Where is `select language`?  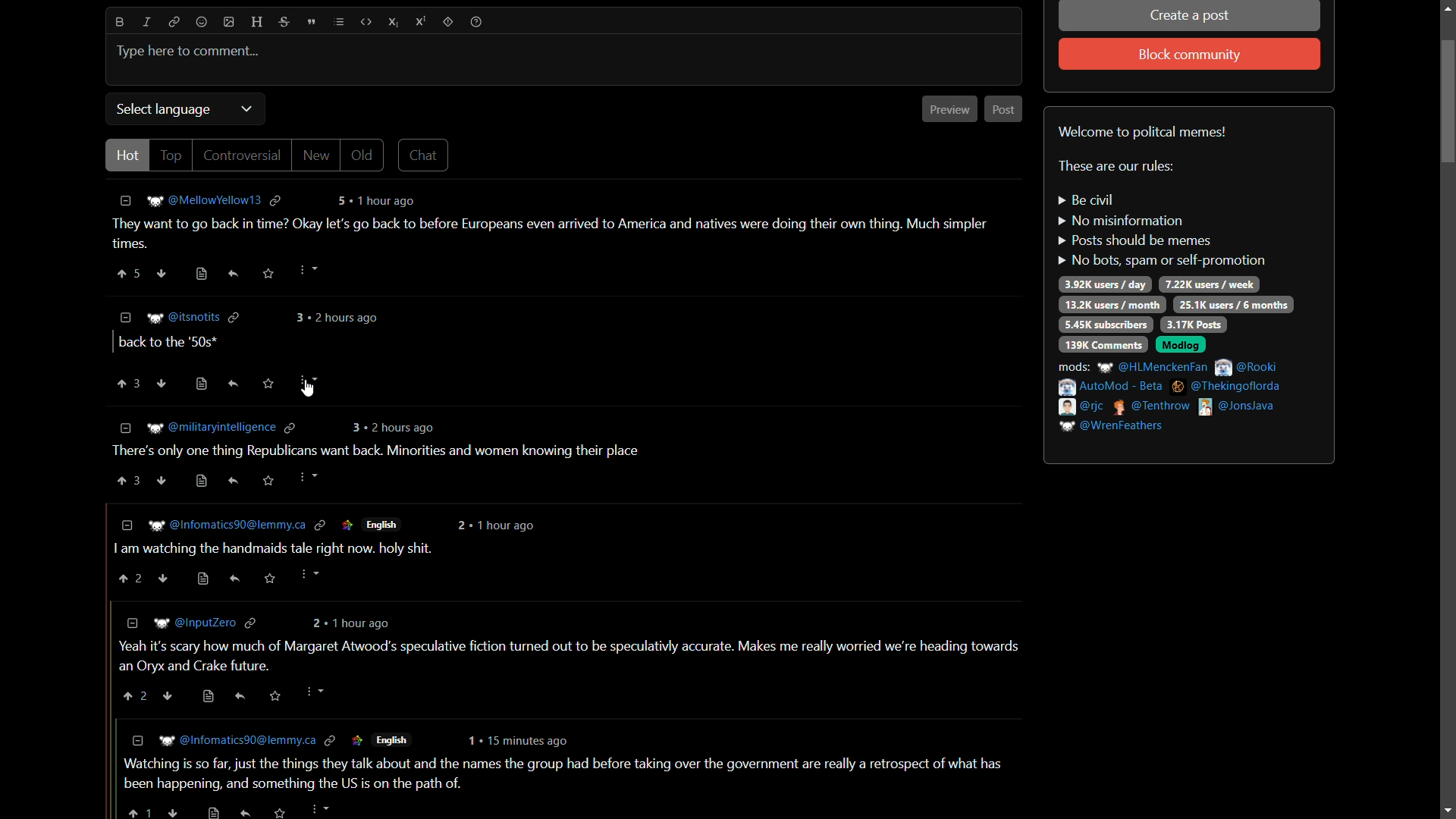 select language is located at coordinates (162, 110).